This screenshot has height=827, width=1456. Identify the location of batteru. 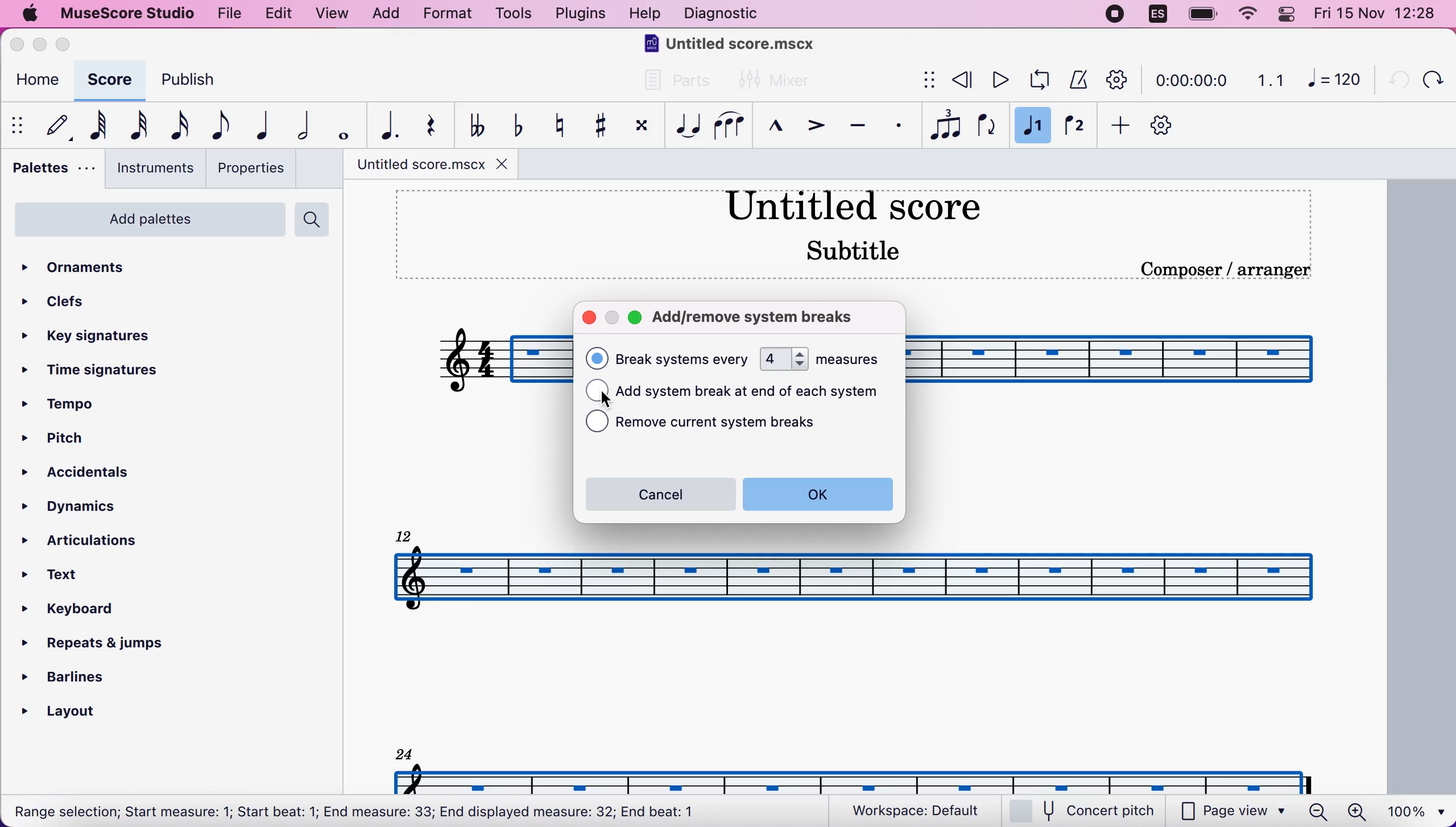
(1203, 15).